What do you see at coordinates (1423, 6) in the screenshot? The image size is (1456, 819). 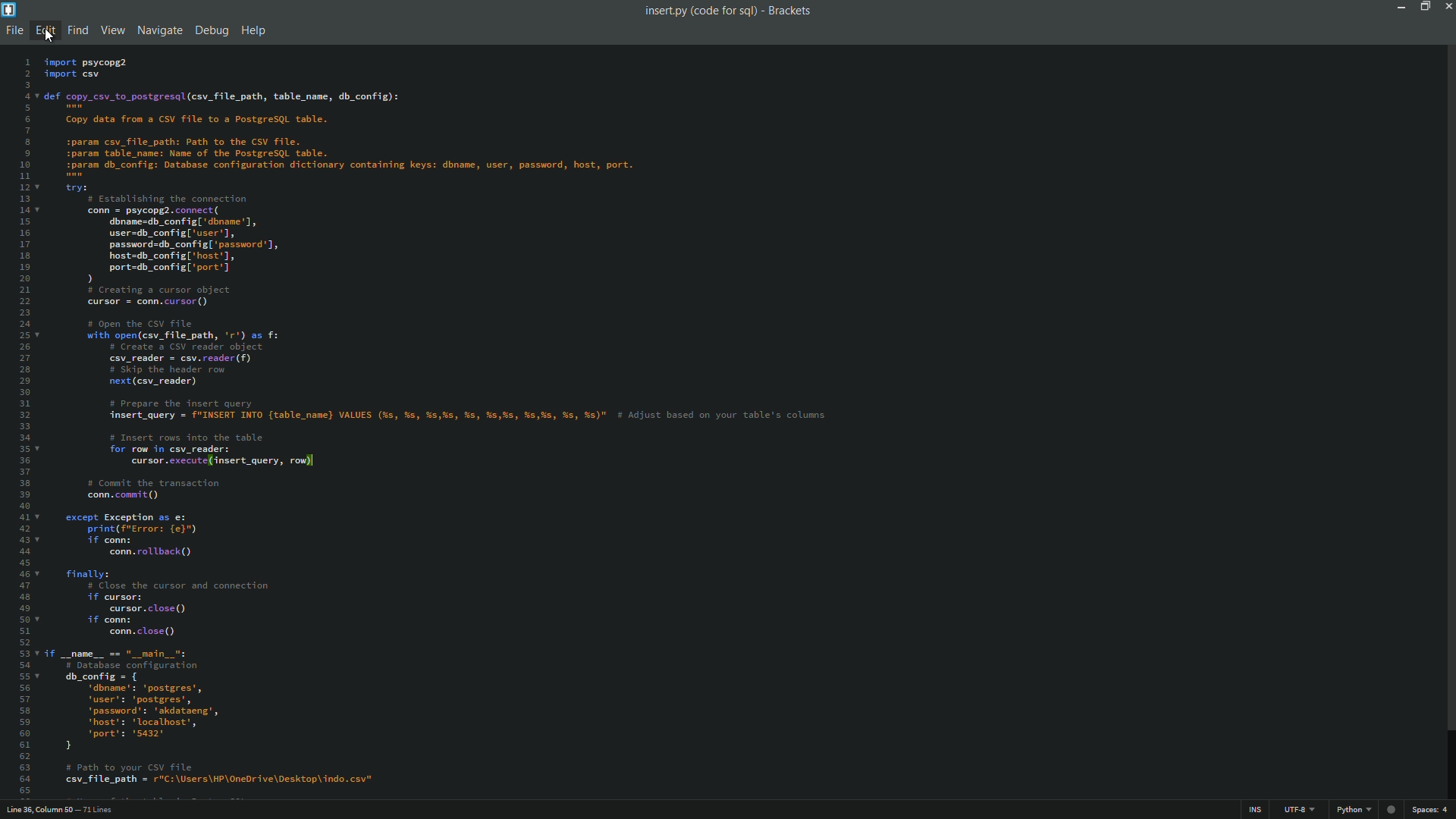 I see `maximize` at bounding box center [1423, 6].